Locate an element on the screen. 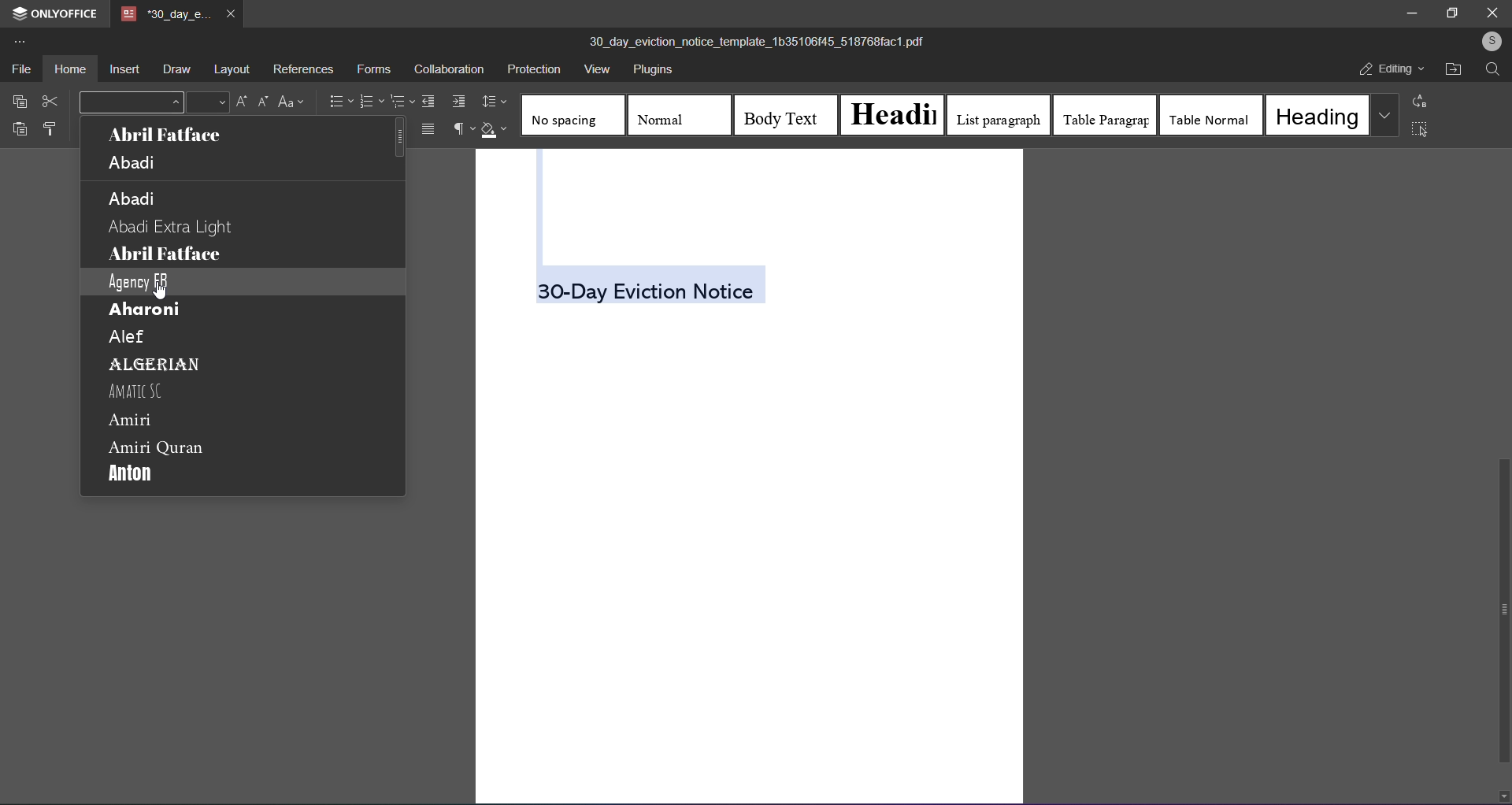 The height and width of the screenshot is (805, 1512). forms is located at coordinates (372, 69).